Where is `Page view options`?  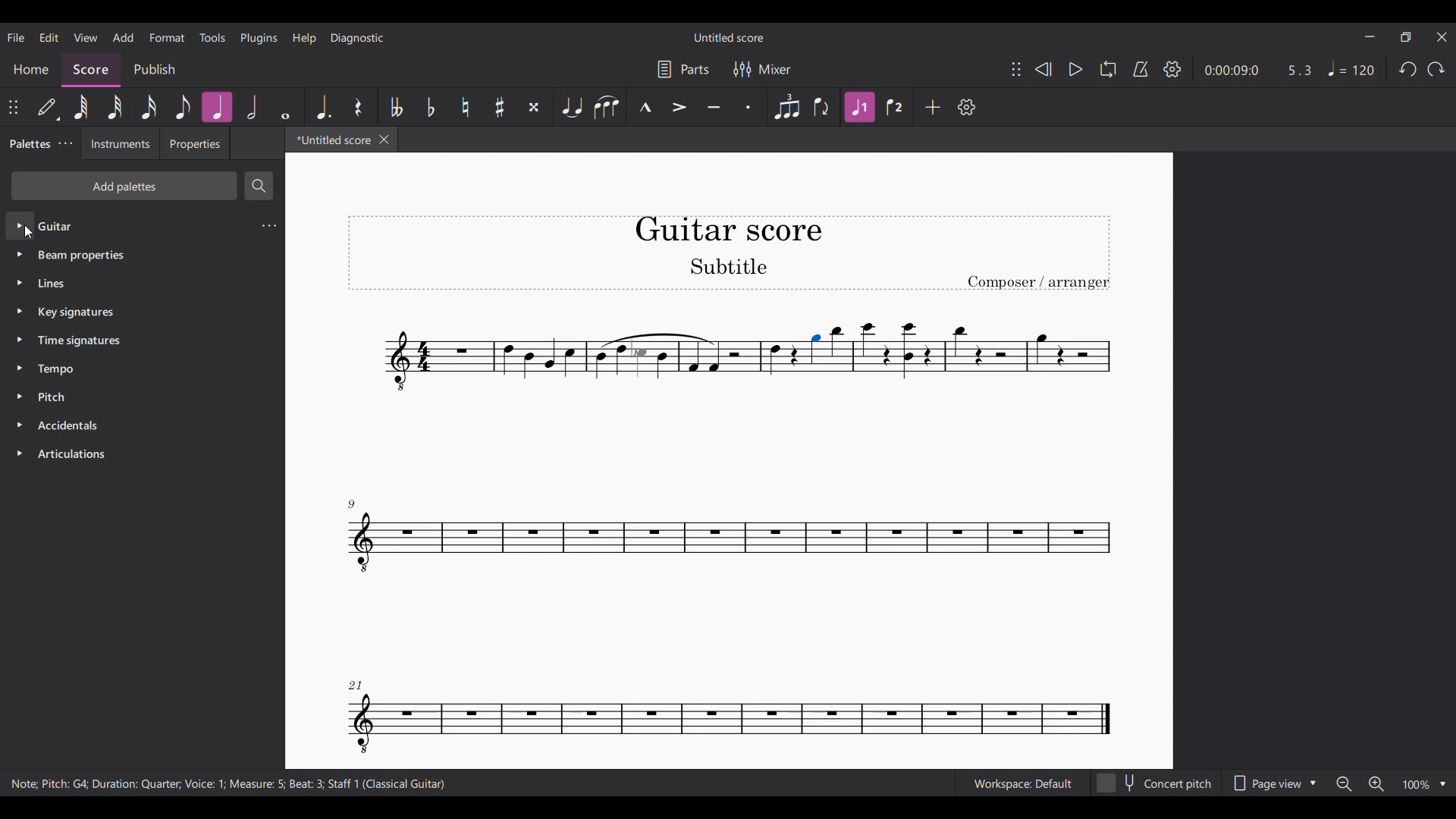 Page view options is located at coordinates (1275, 783).